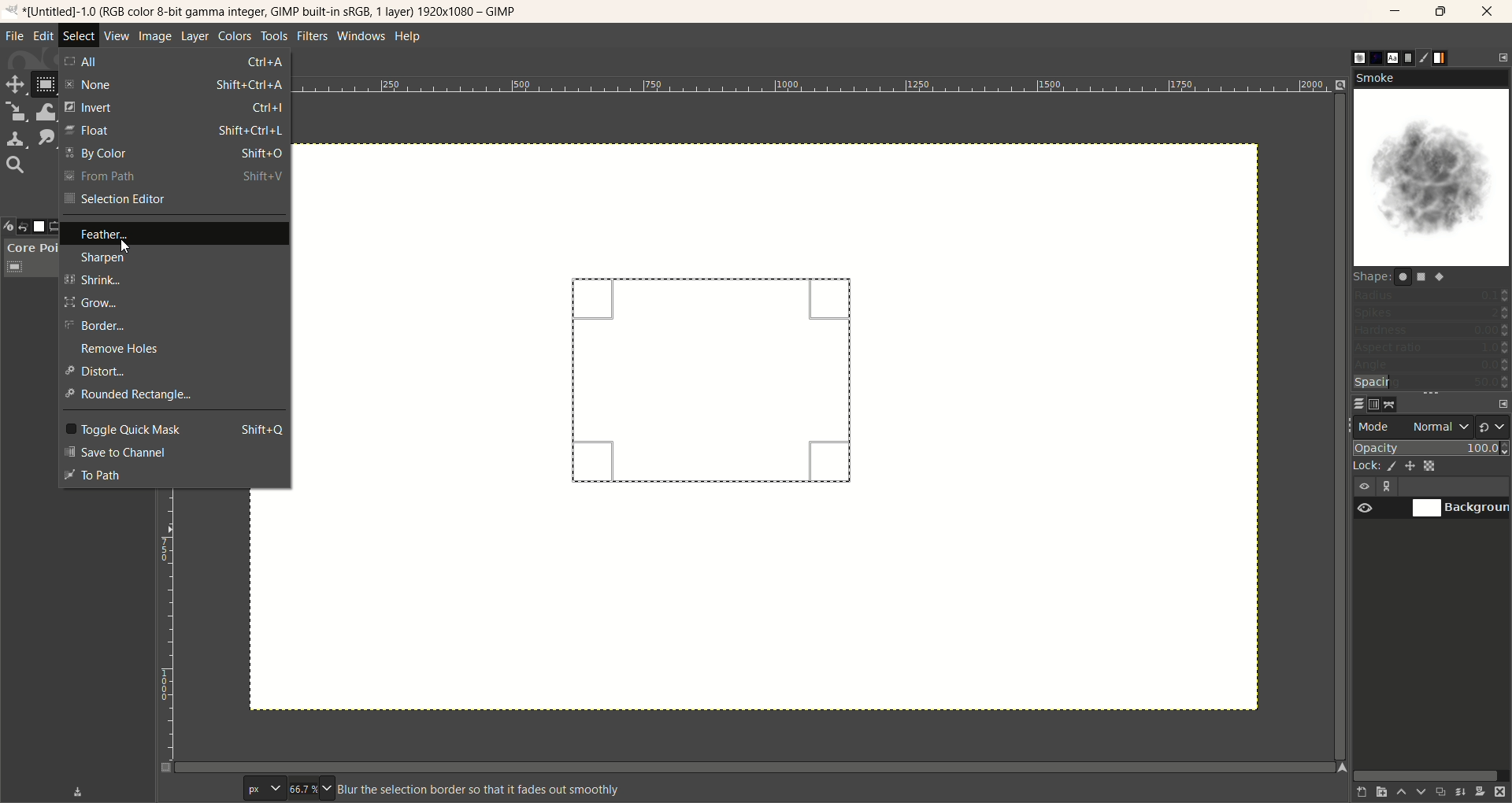 This screenshot has height=803, width=1512. What do you see at coordinates (169, 325) in the screenshot?
I see `border` at bounding box center [169, 325].